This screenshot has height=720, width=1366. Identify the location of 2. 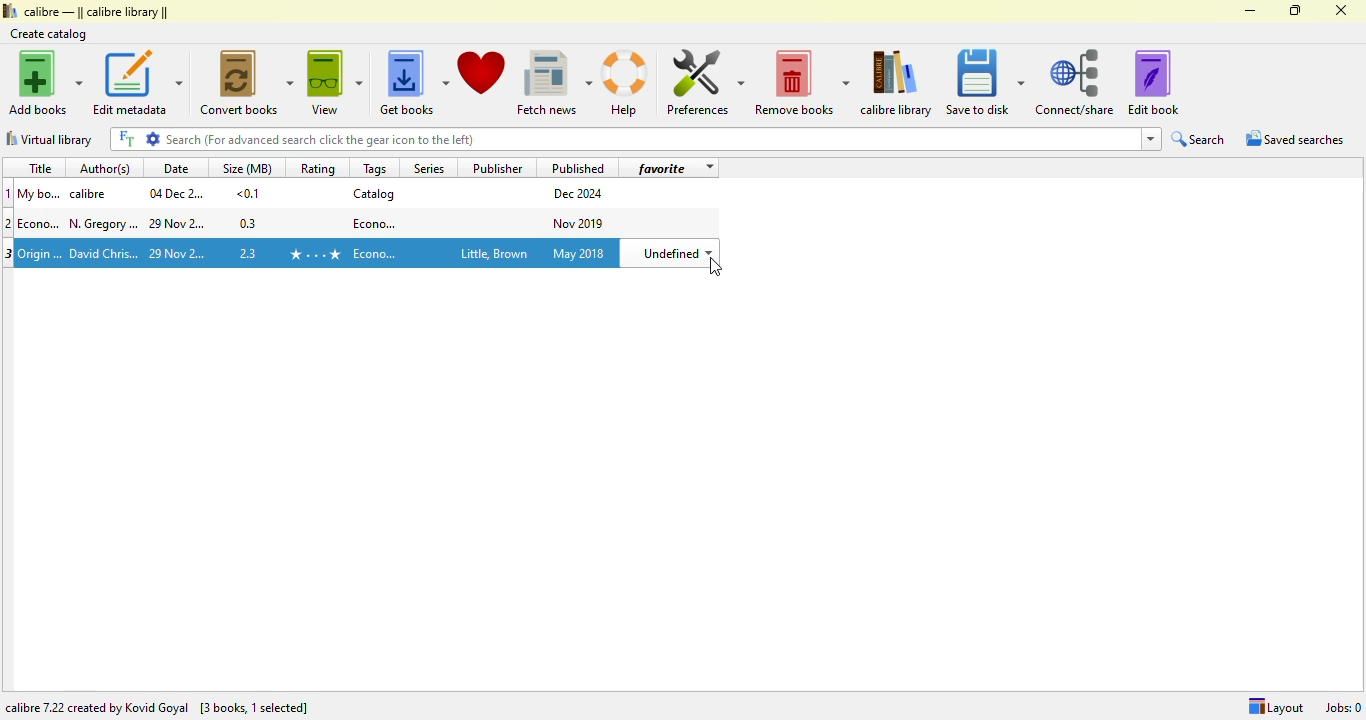
(9, 223).